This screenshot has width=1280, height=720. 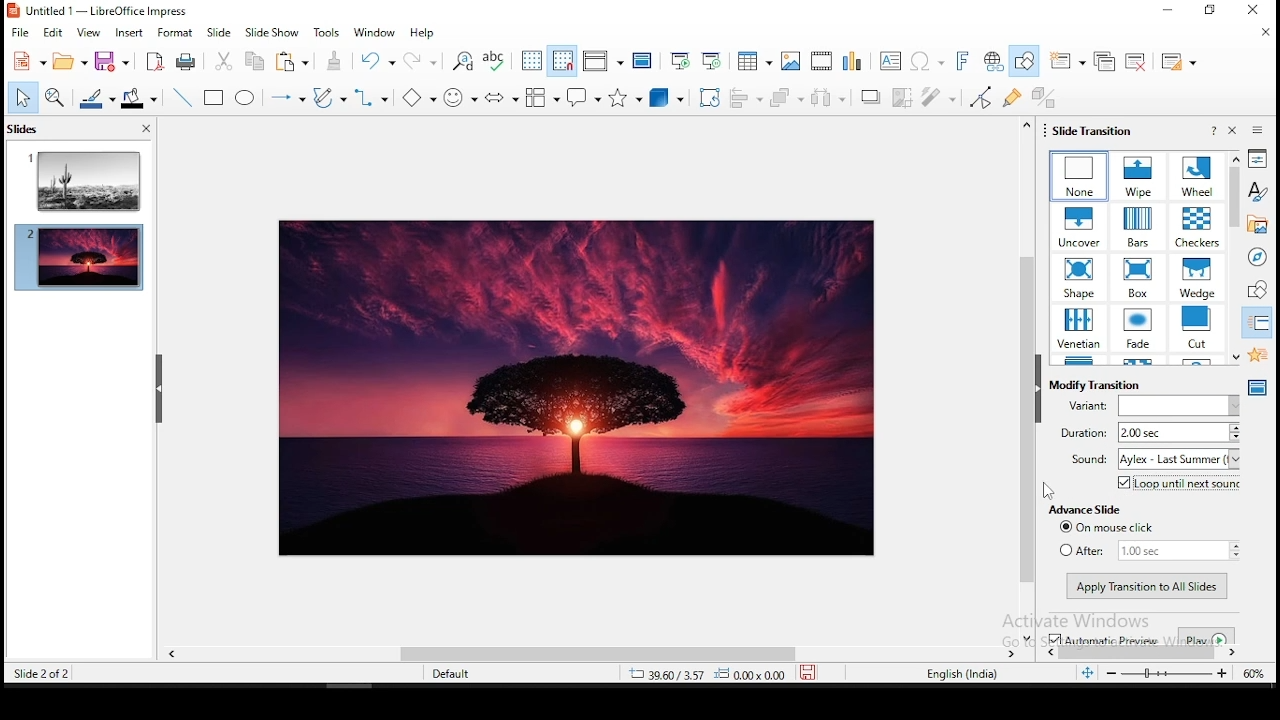 I want to click on show draw functions, so click(x=1023, y=61).